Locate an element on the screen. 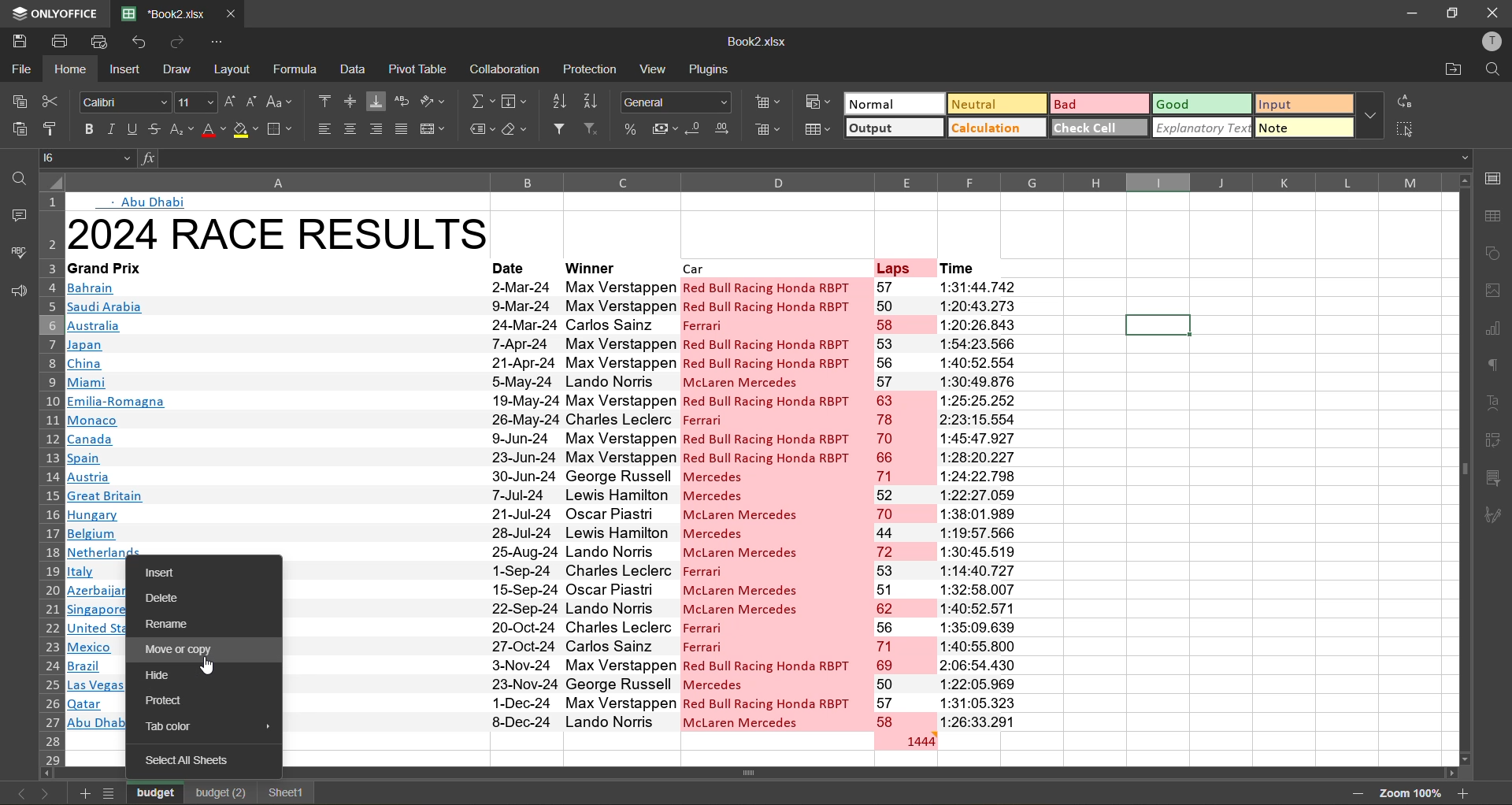  car name is located at coordinates (775, 503).